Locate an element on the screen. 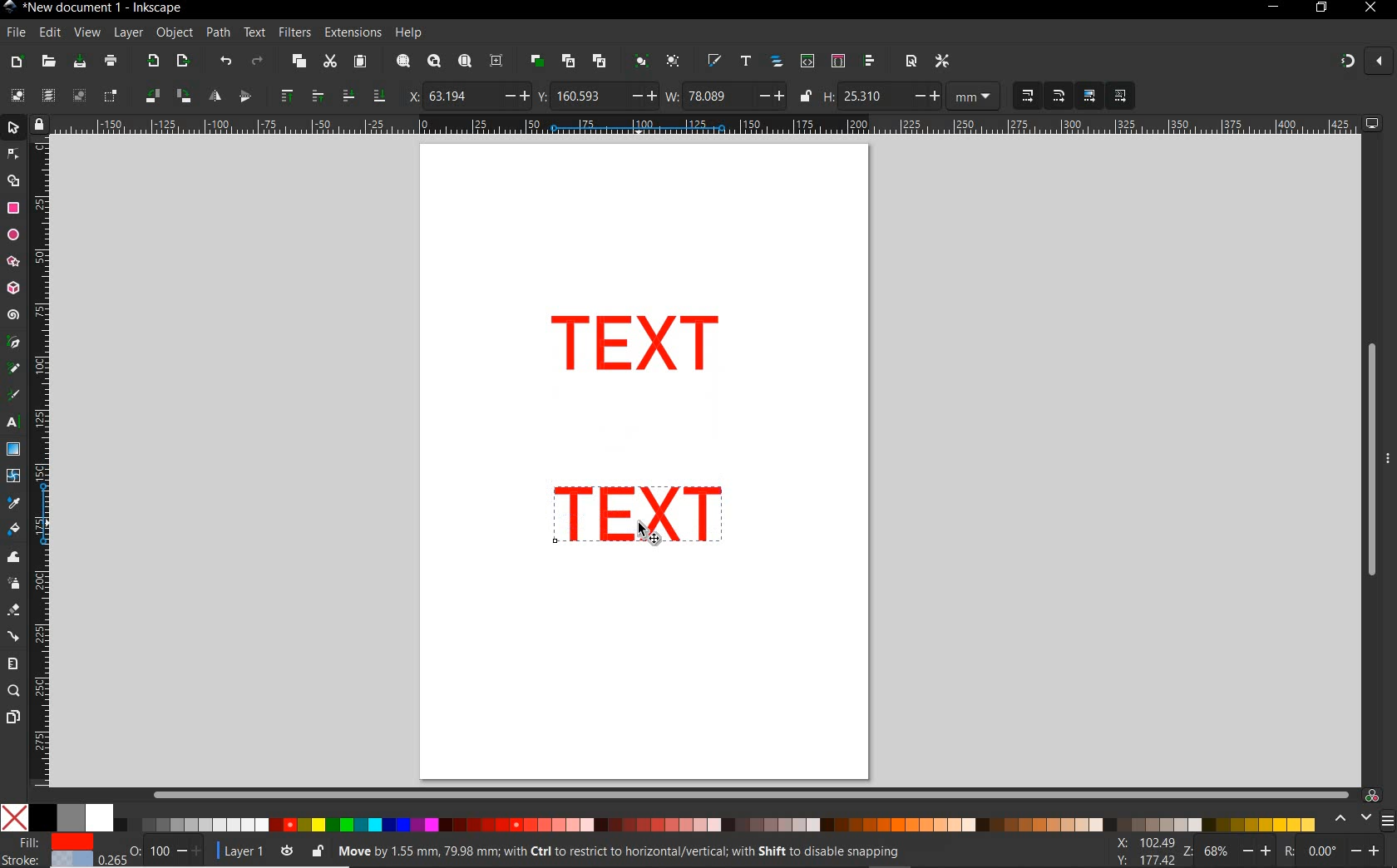 This screenshot has width=1397, height=868. zoom is located at coordinates (1224, 851).